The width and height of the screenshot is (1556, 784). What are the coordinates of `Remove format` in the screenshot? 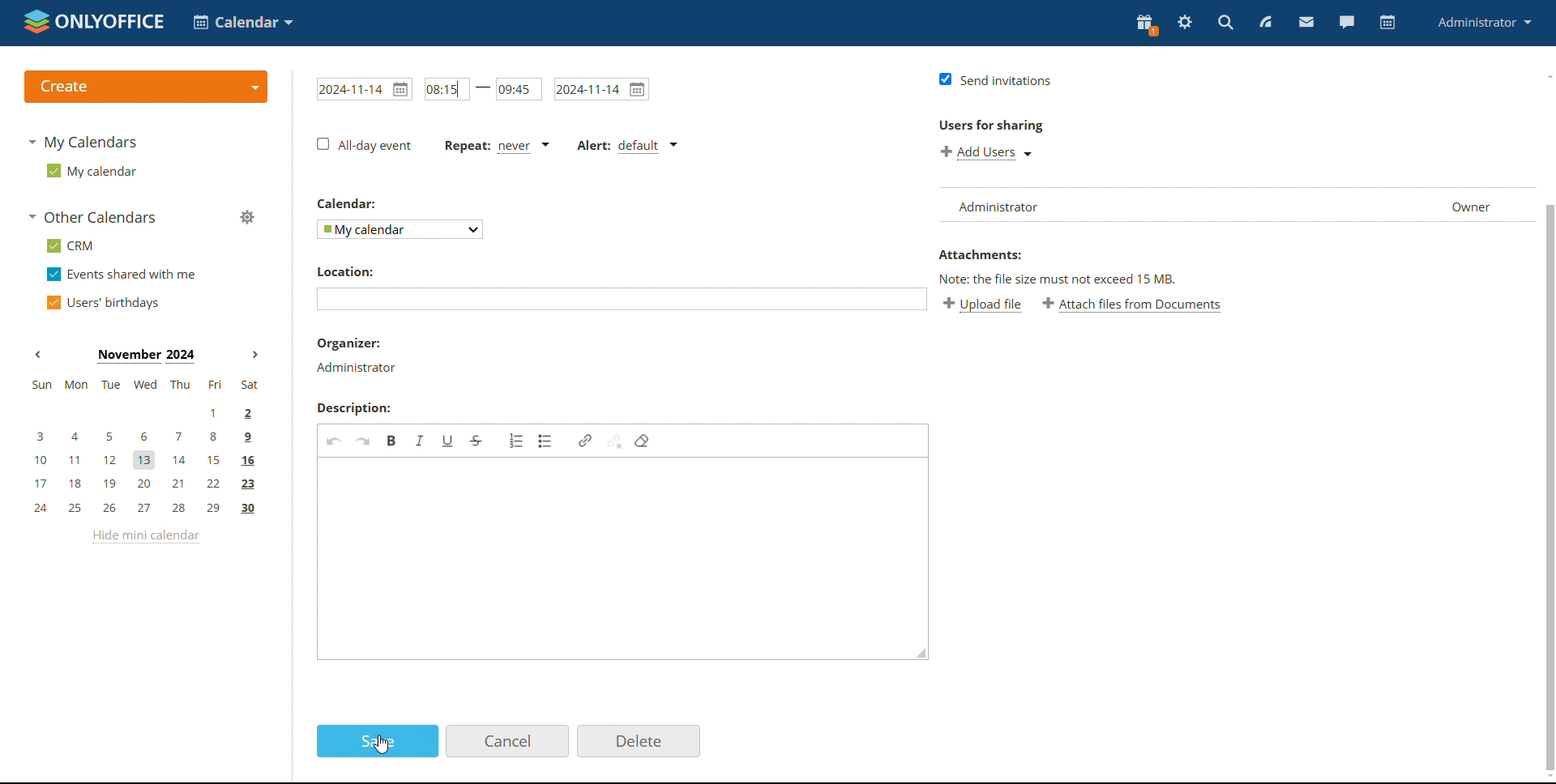 It's located at (643, 441).